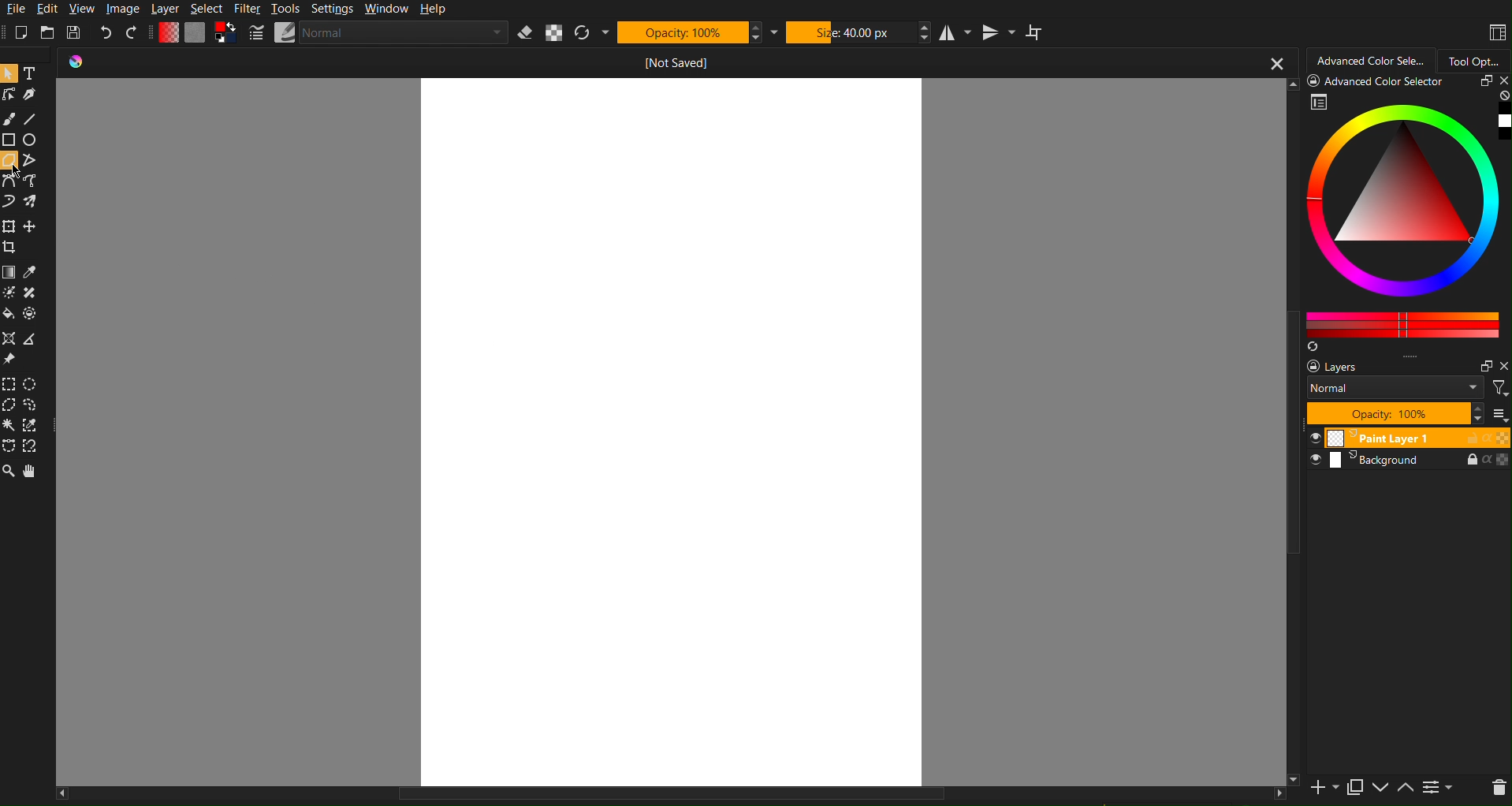  Describe the element at coordinates (9, 336) in the screenshot. I see `assistant tool` at that location.